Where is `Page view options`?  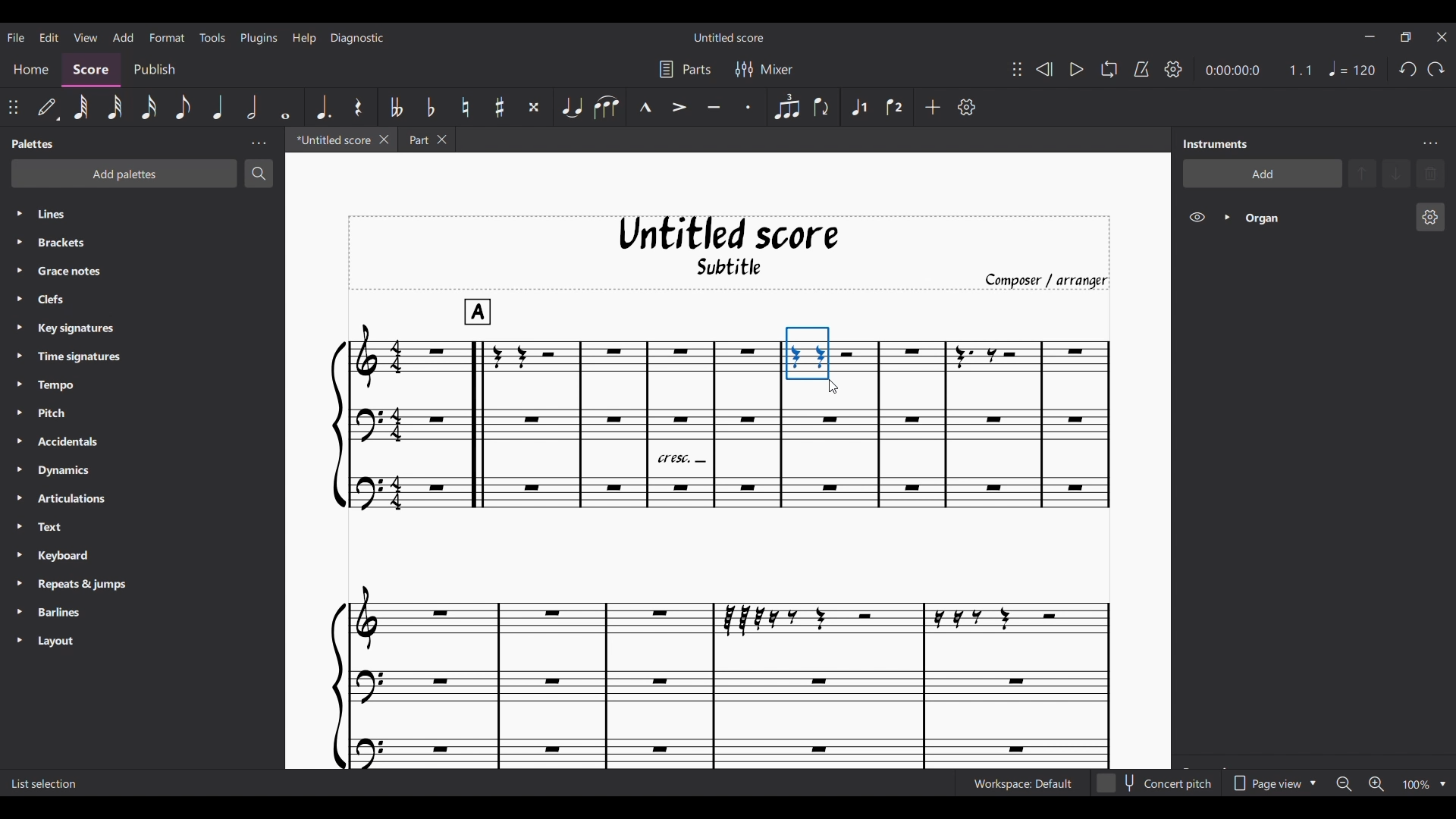 Page view options is located at coordinates (1272, 783).